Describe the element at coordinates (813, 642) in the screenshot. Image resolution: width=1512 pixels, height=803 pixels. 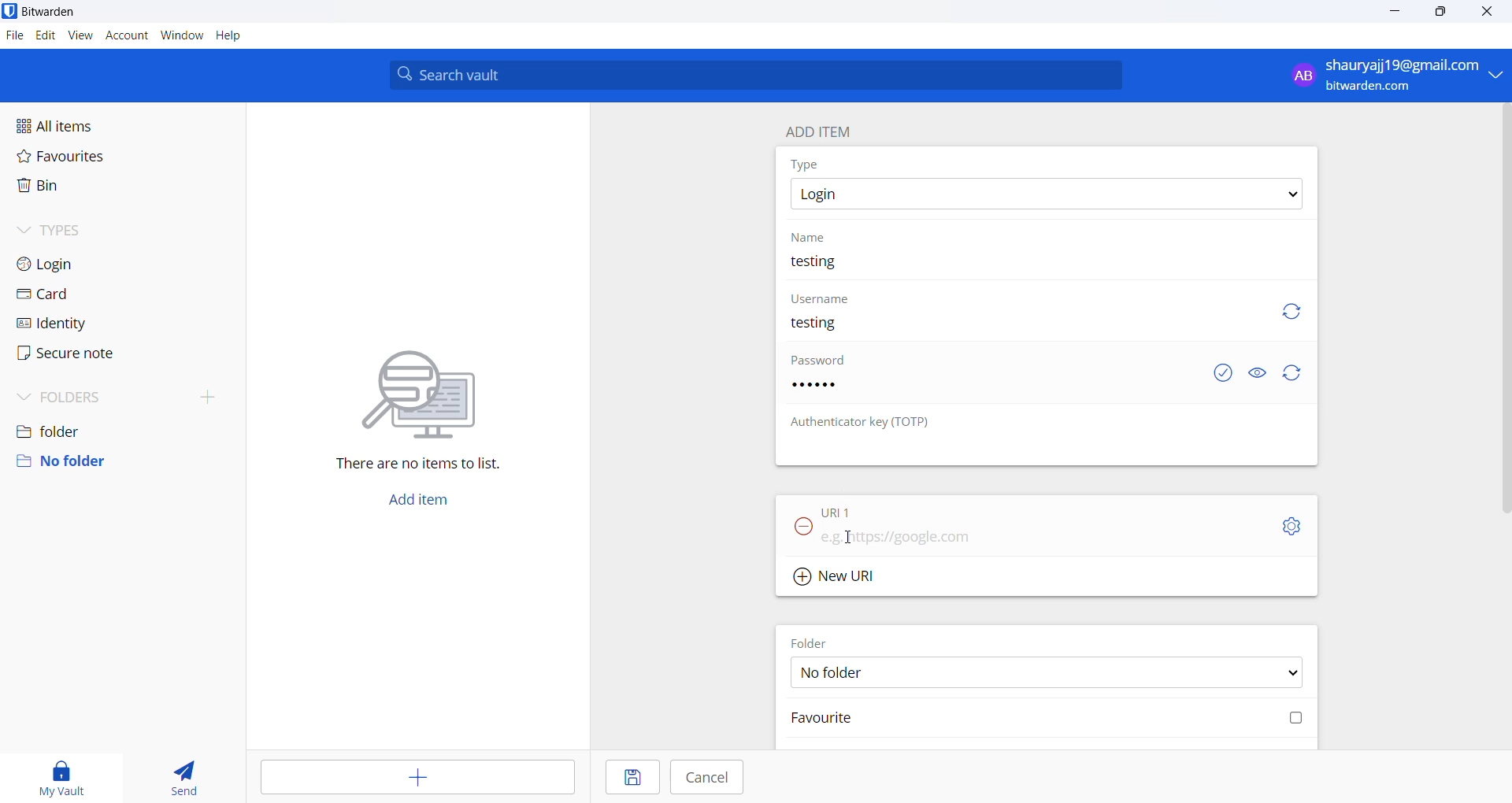
I see `FOLDER` at that location.